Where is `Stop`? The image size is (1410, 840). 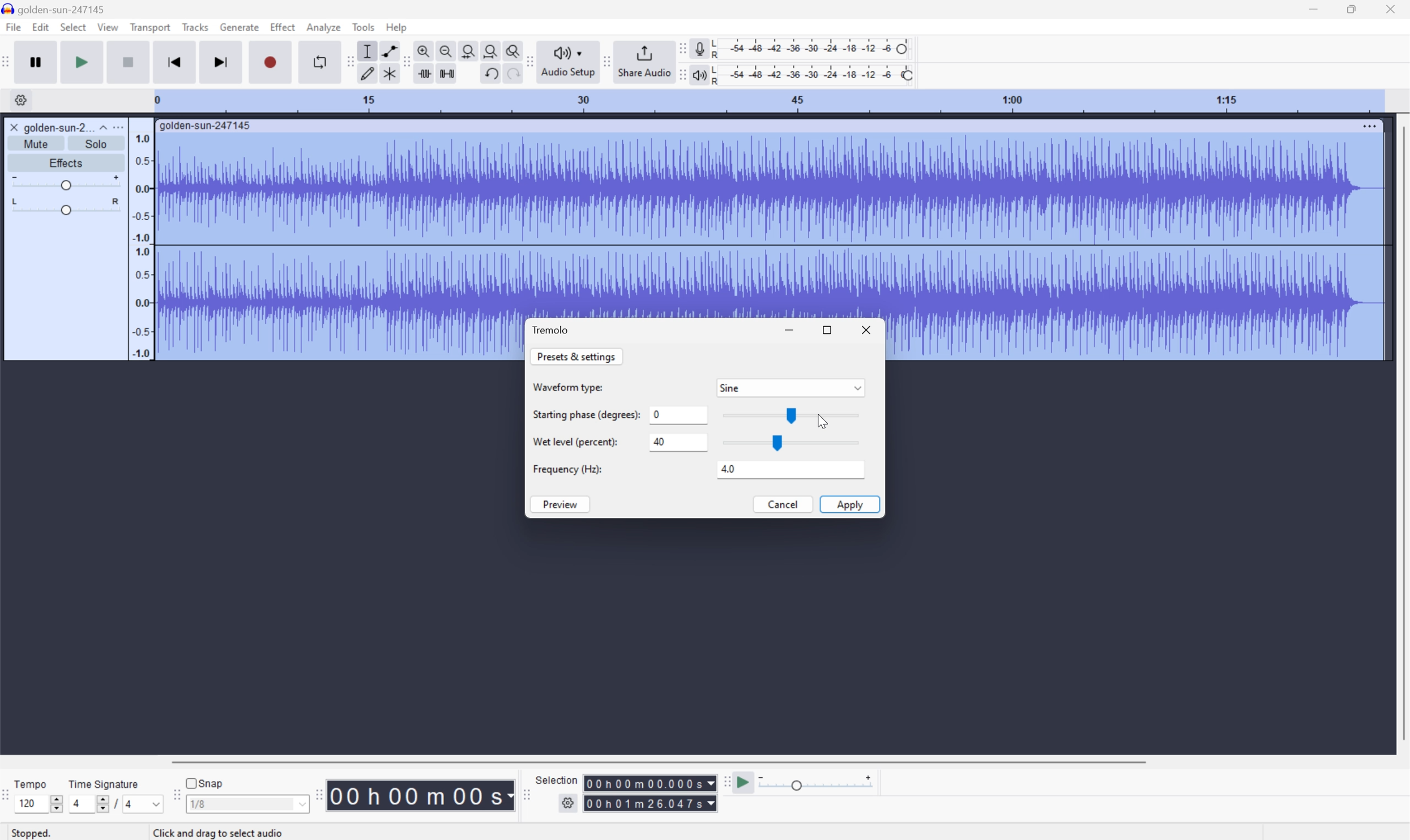
Stop is located at coordinates (127, 62).